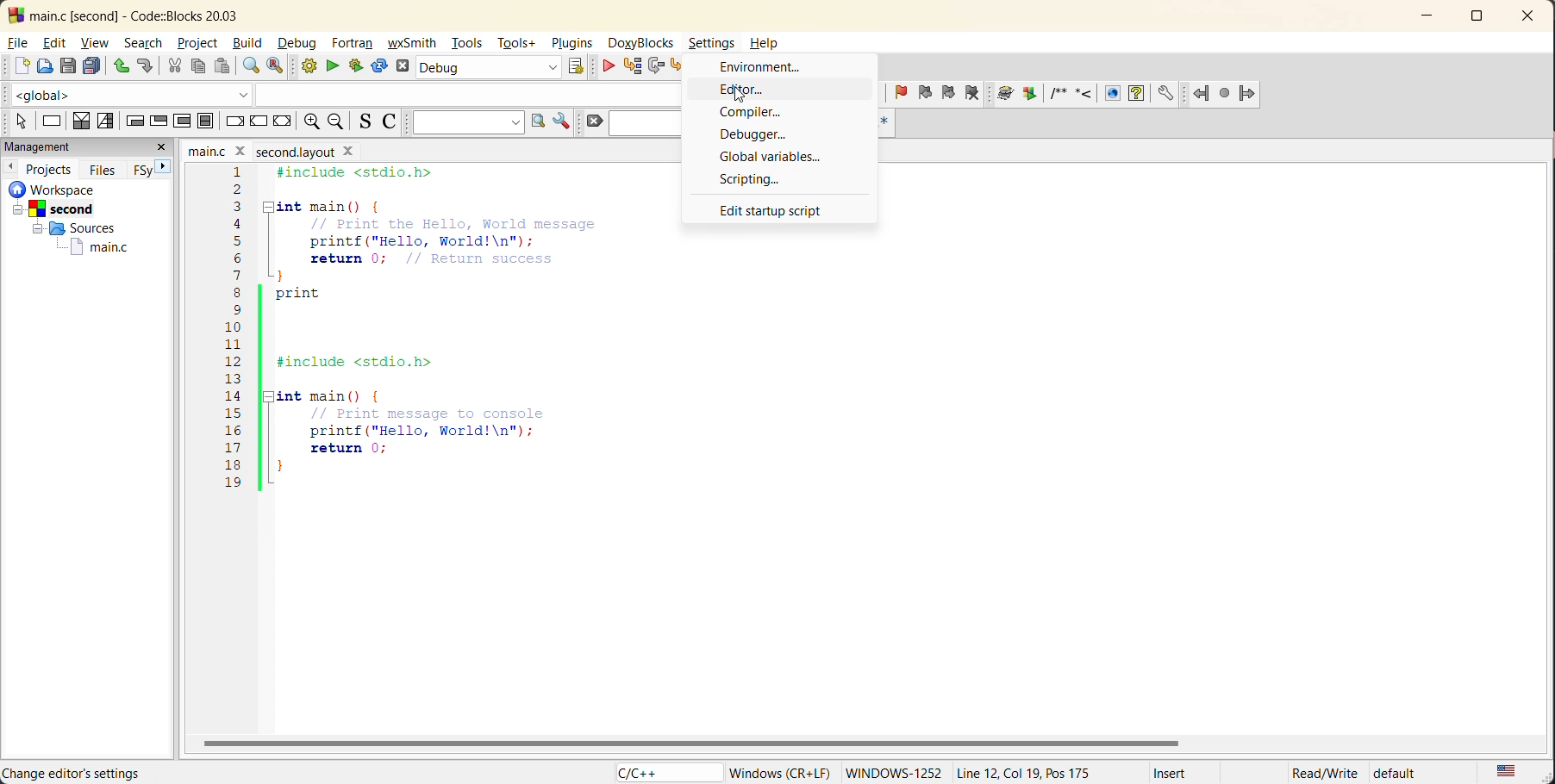 This screenshot has height=784, width=1555. Describe the element at coordinates (1226, 94) in the screenshot. I see `last jump` at that location.